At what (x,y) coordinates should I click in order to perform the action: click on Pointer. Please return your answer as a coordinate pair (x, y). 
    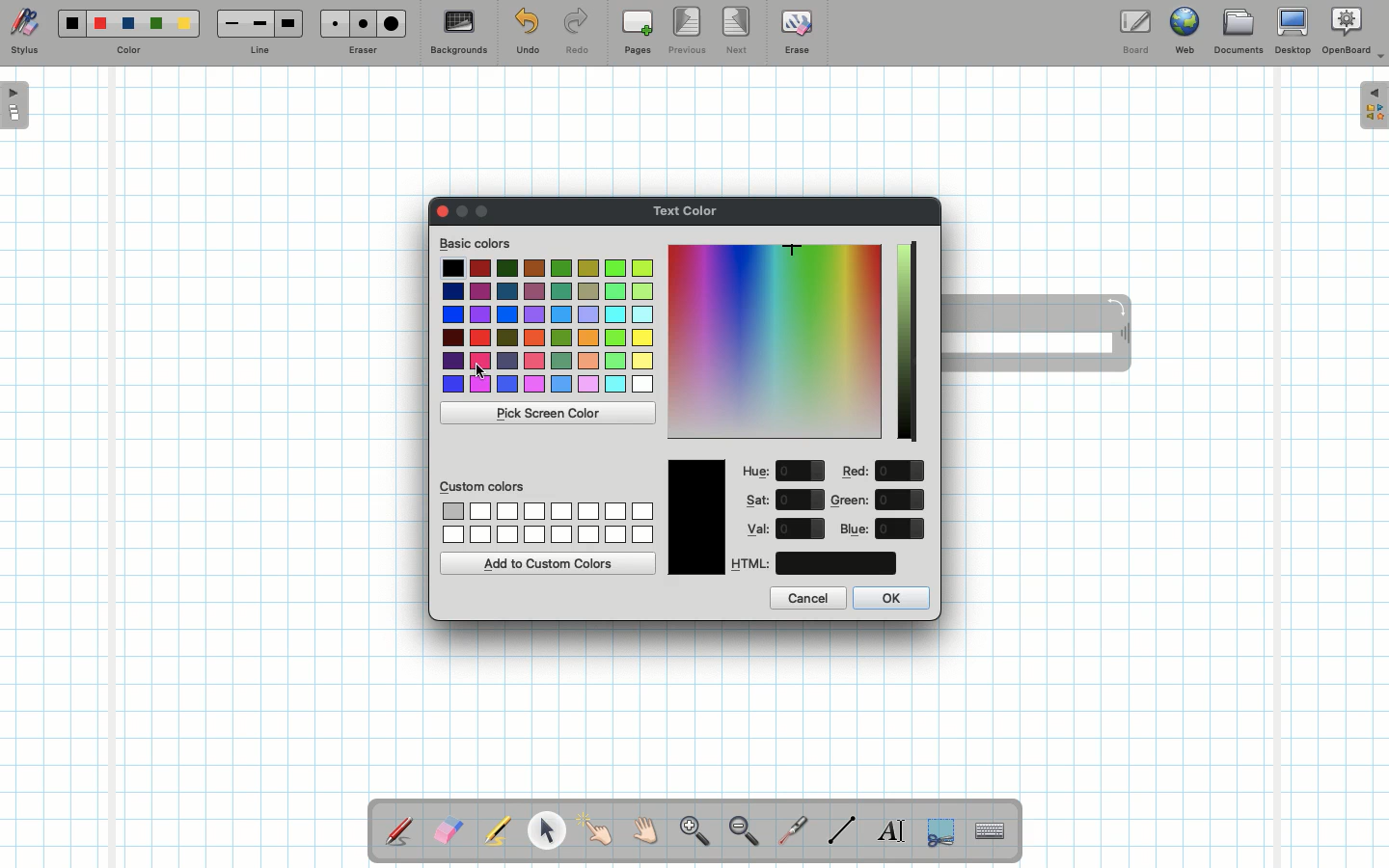
    Looking at the image, I should click on (546, 830).